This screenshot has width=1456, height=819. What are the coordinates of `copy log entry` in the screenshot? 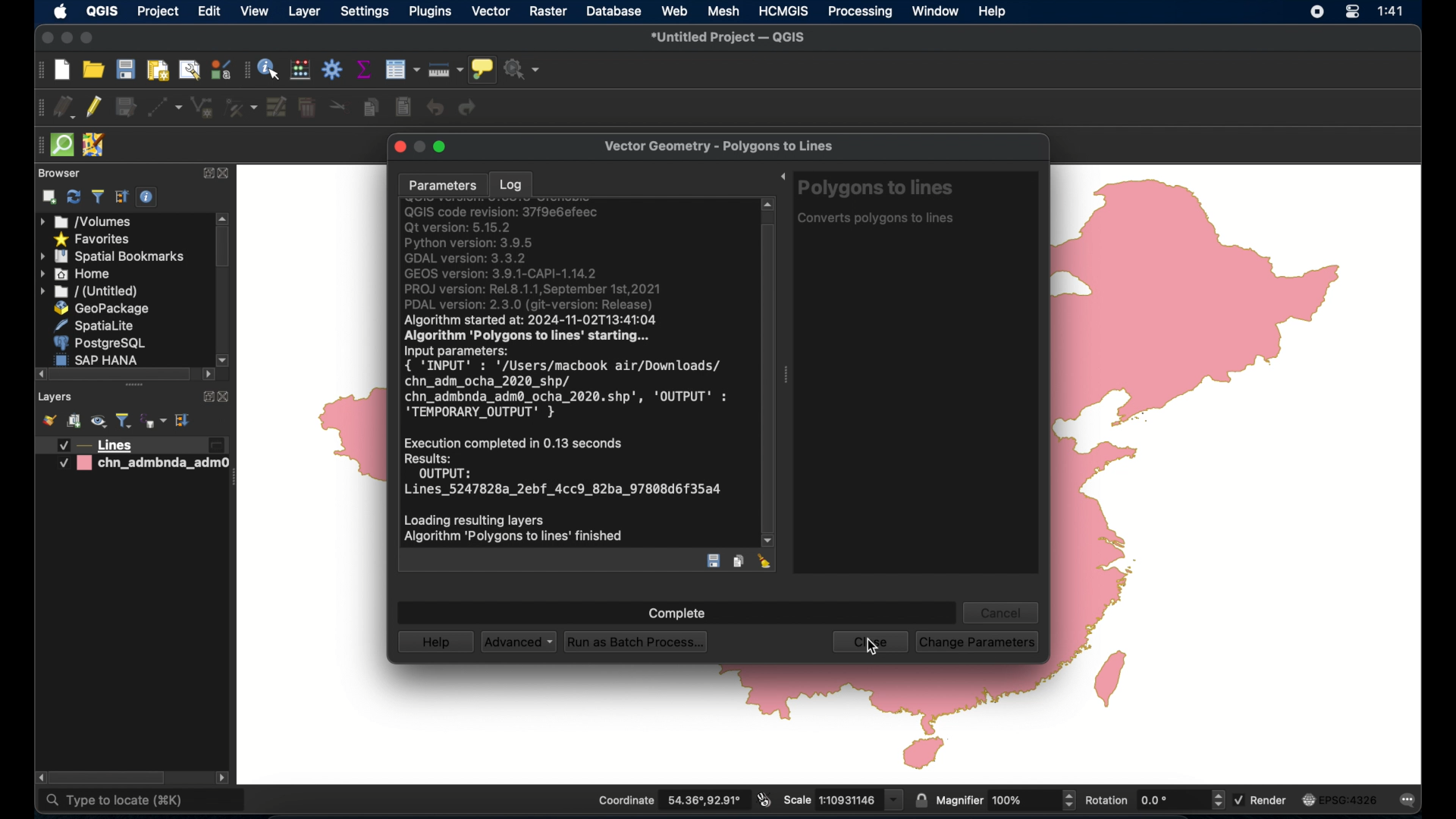 It's located at (737, 563).